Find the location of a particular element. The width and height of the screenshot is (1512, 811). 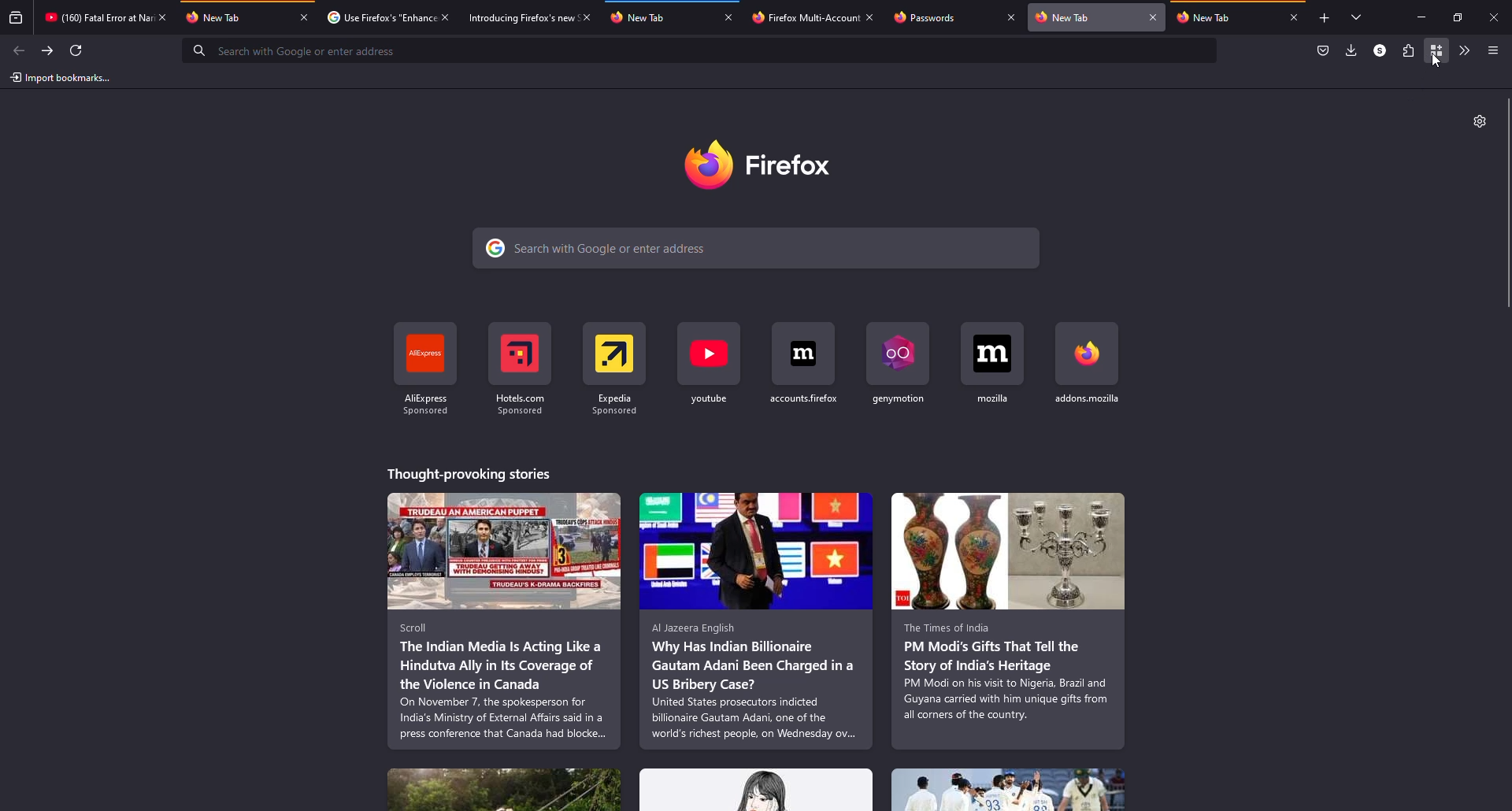

stories is located at coordinates (504, 787).